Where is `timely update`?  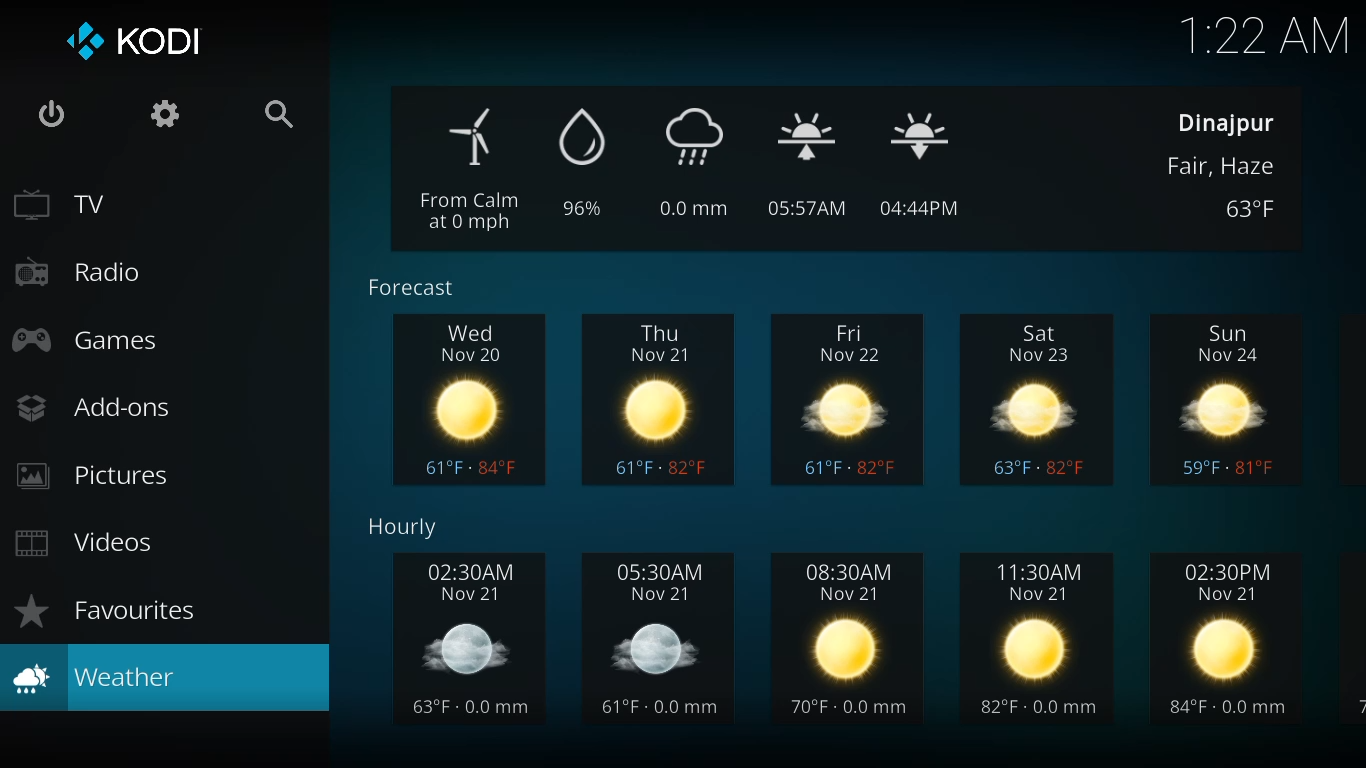
timely update is located at coordinates (705, 165).